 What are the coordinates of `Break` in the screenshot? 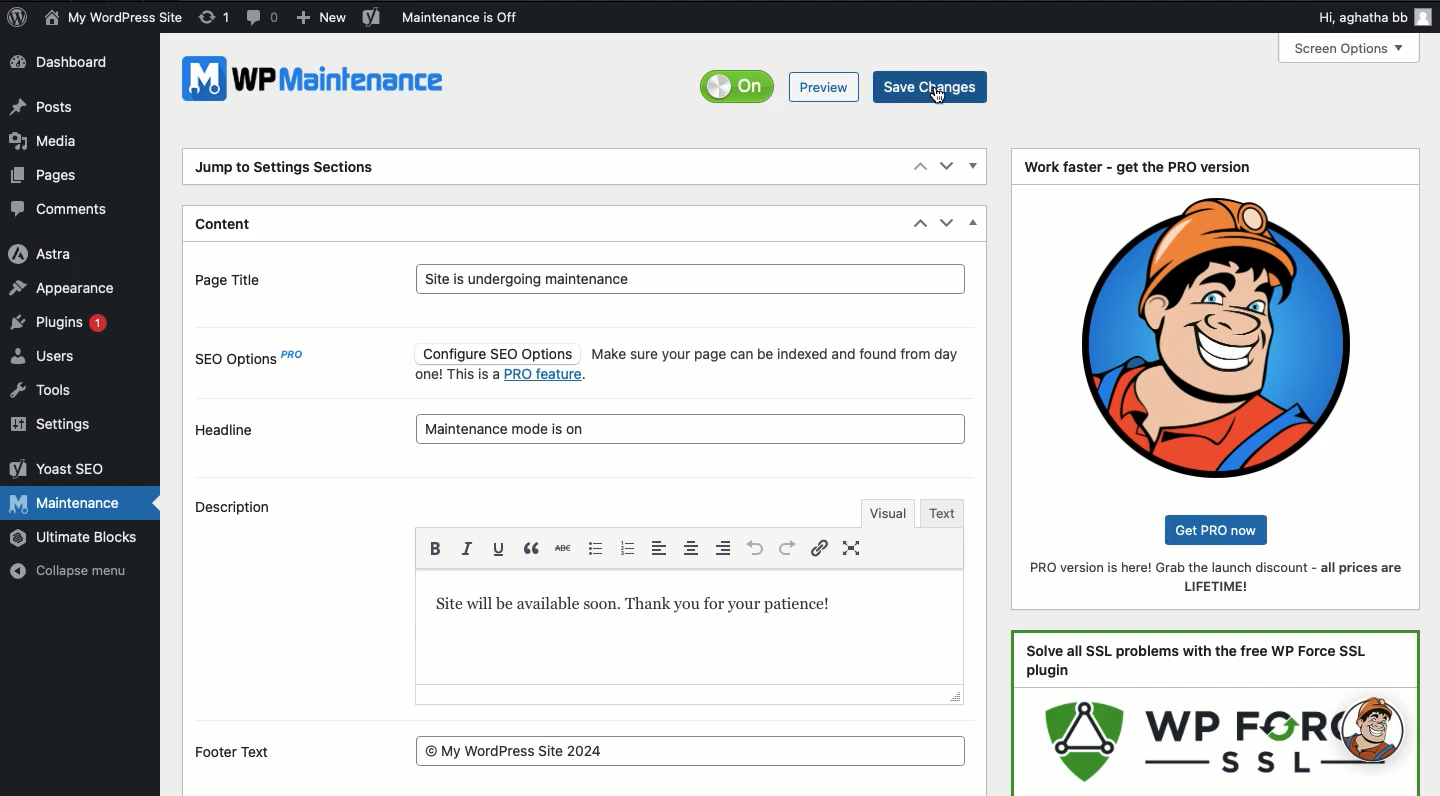 It's located at (533, 547).